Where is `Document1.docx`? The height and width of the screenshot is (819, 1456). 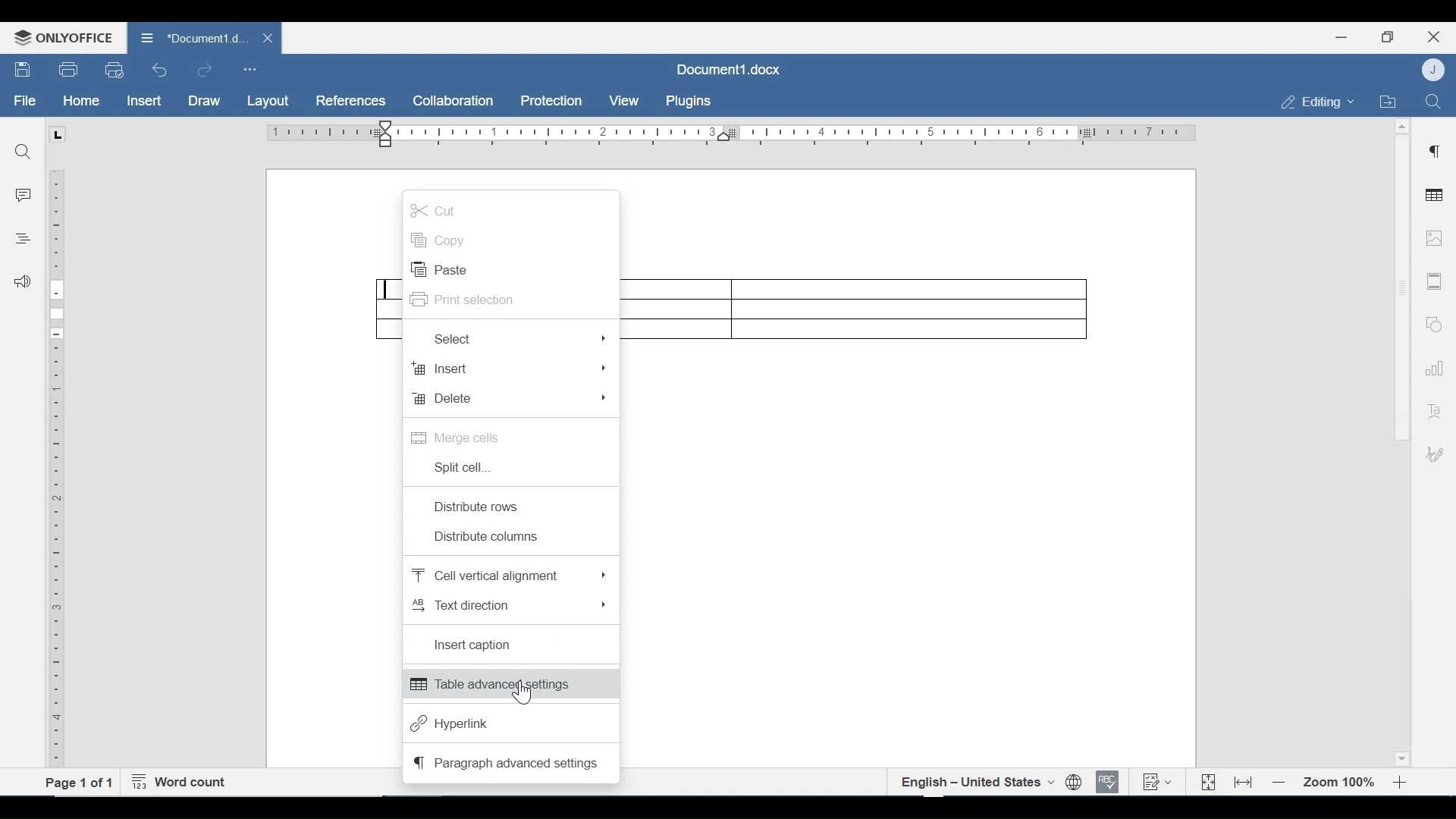
Document1.docx is located at coordinates (730, 69).